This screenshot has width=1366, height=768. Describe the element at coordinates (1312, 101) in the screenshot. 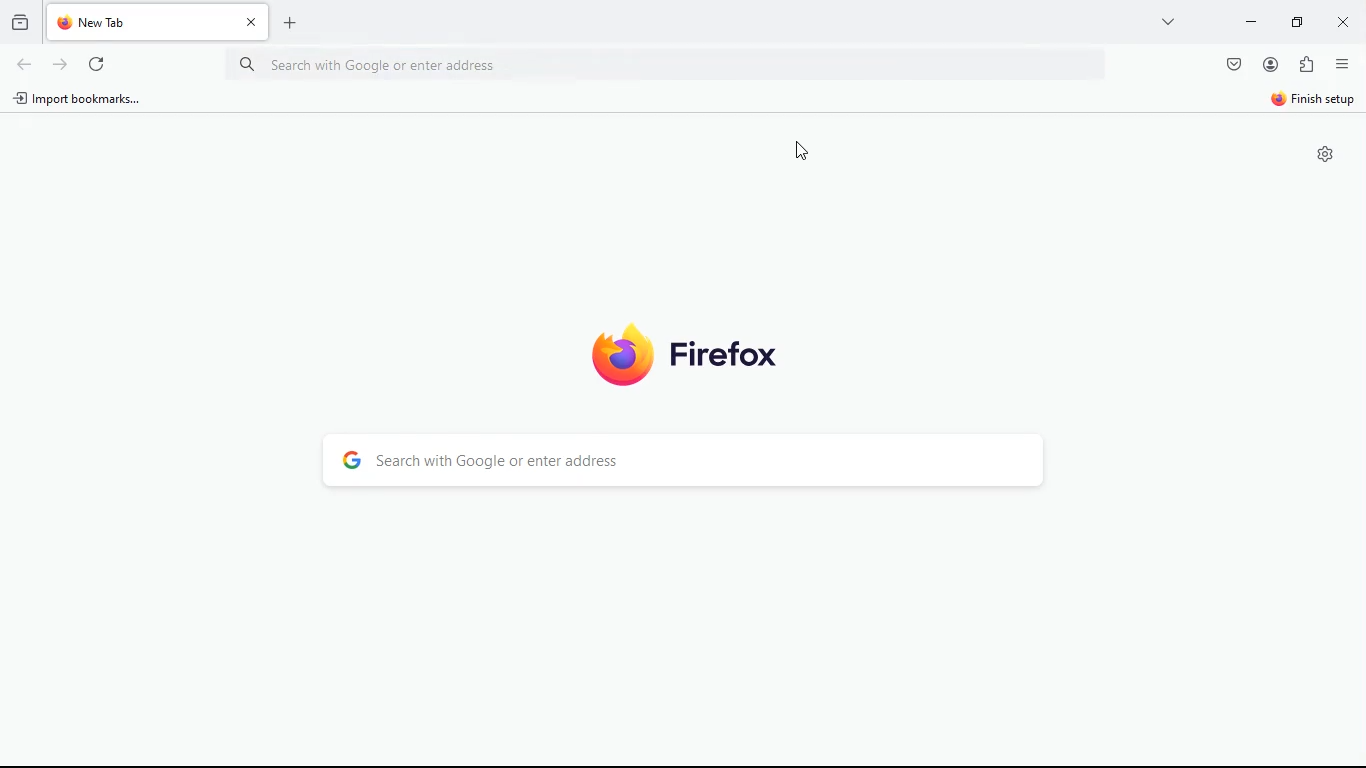

I see `finish setup` at that location.